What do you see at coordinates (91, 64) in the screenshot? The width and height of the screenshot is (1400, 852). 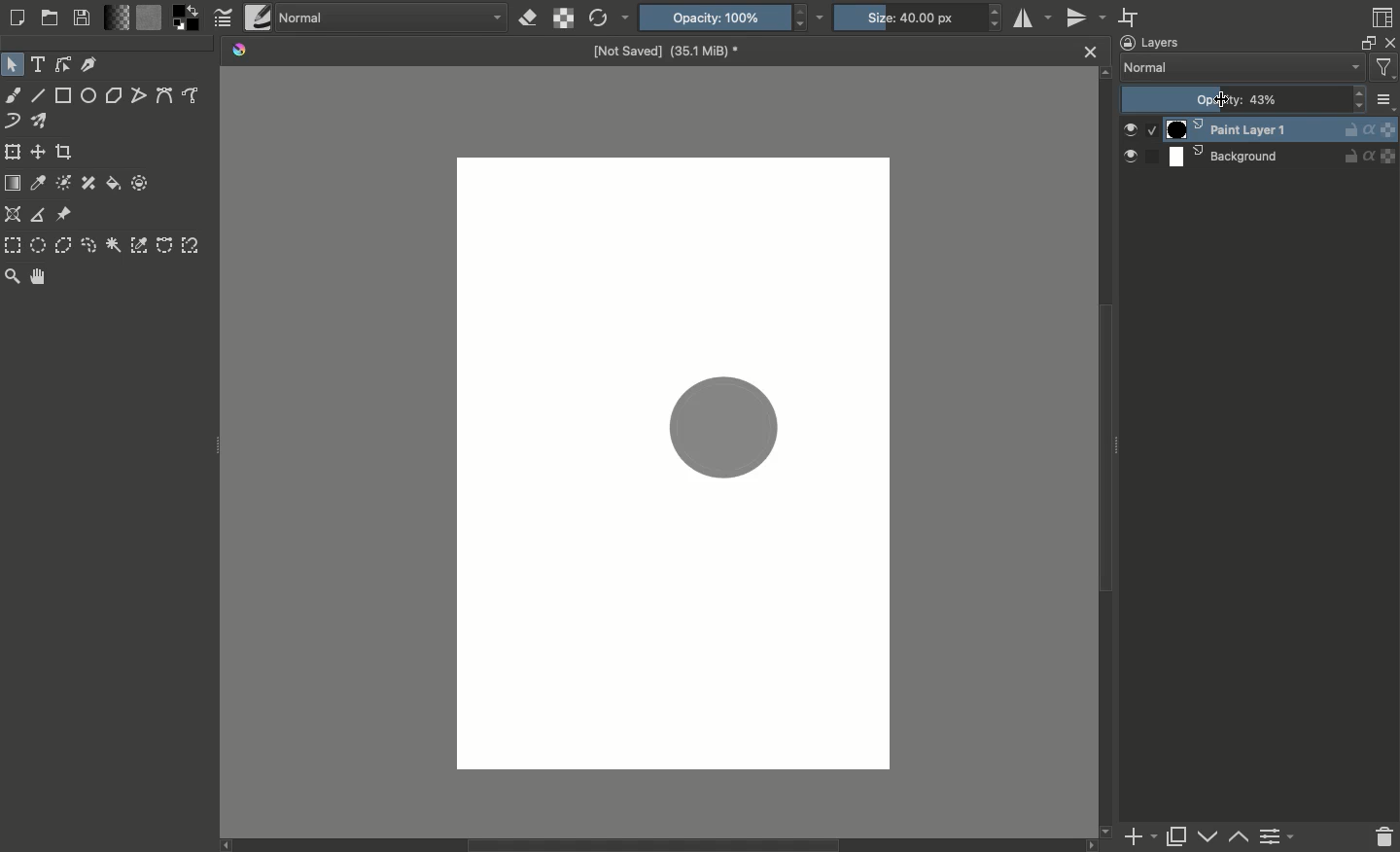 I see `Calligraphy` at bounding box center [91, 64].